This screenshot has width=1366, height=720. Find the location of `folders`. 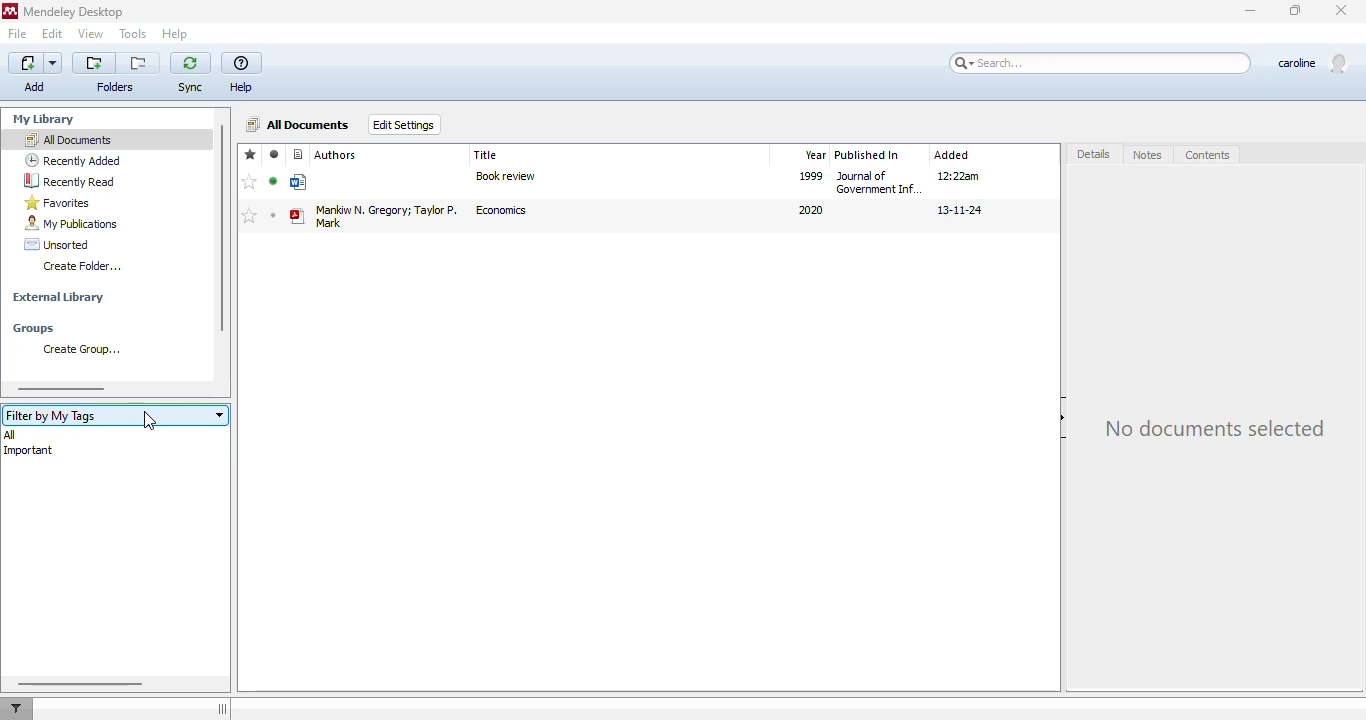

folders is located at coordinates (117, 87).